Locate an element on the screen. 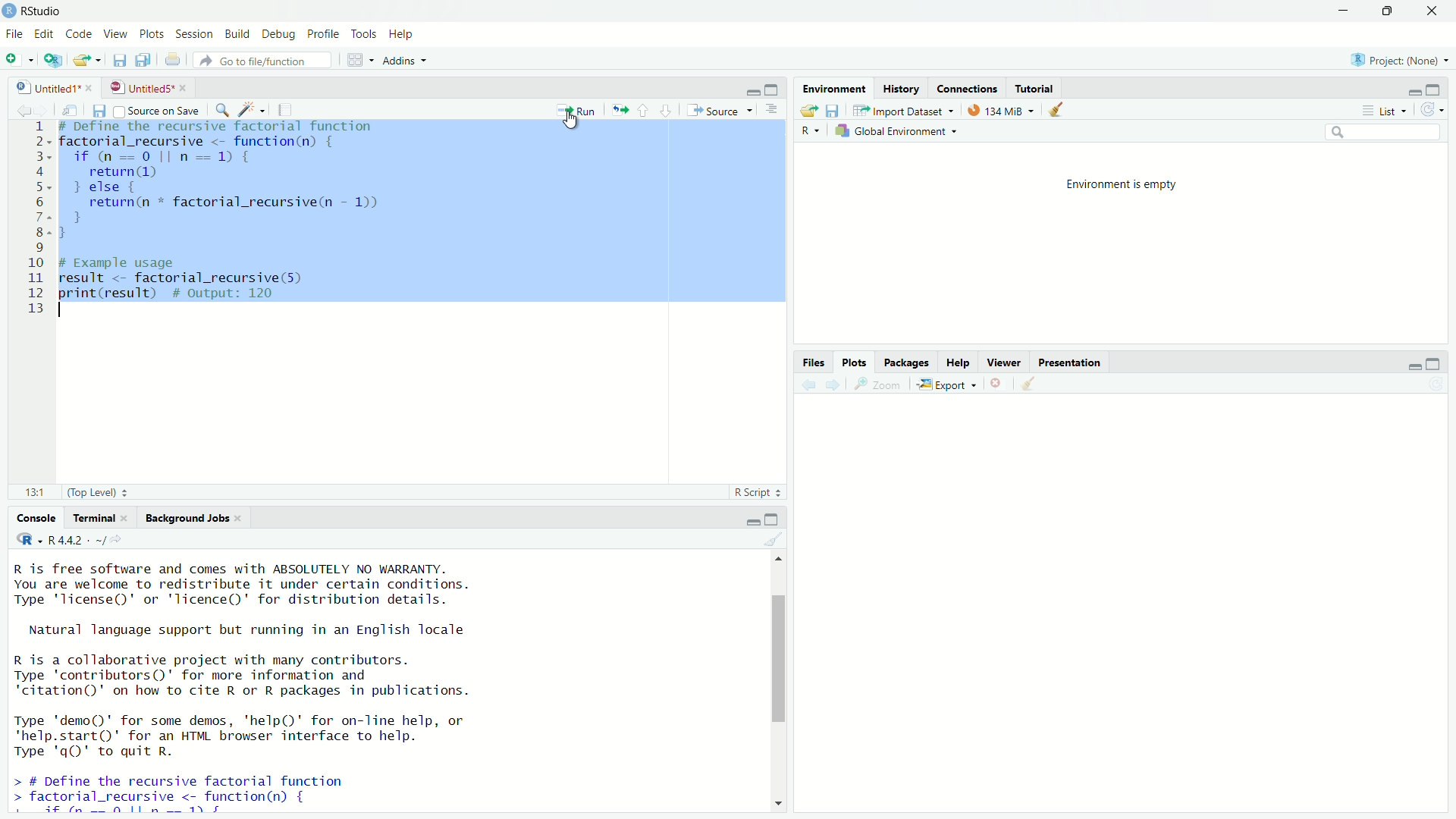 The image size is (1456, 819). Files is located at coordinates (814, 362).